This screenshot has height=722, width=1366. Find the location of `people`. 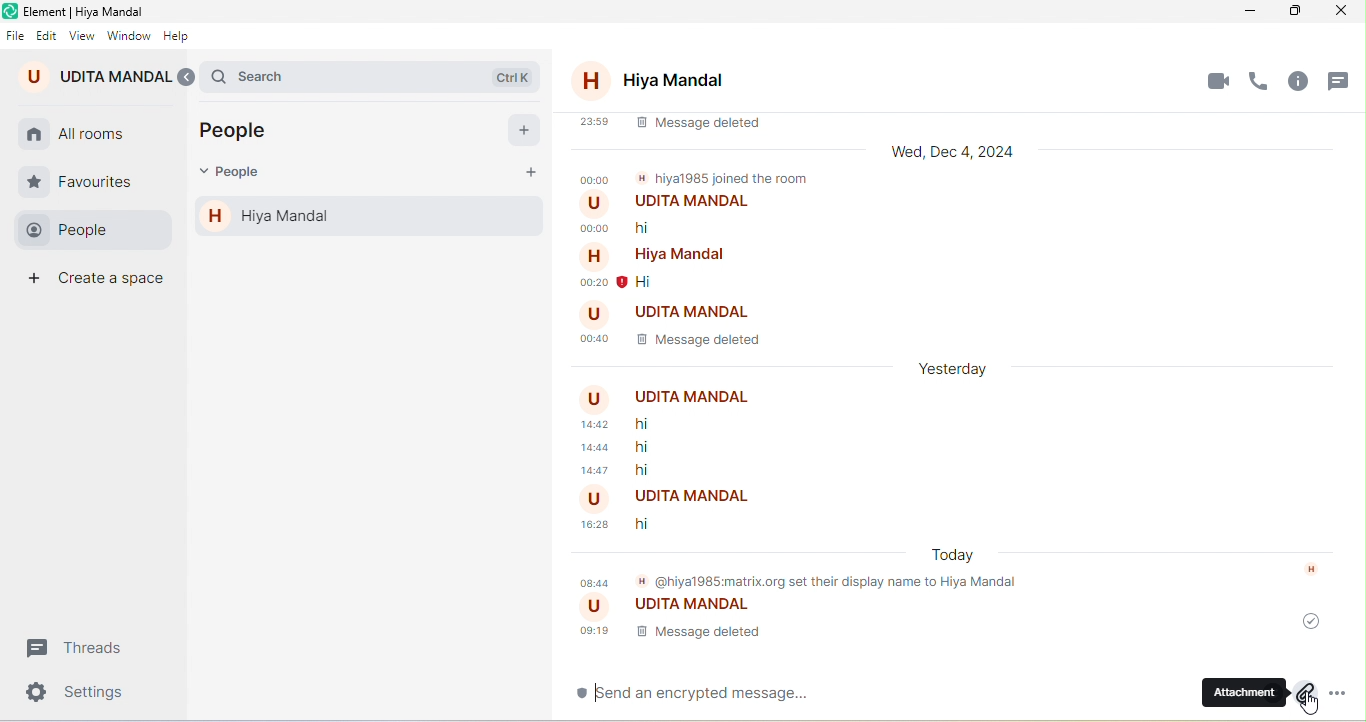

people is located at coordinates (236, 175).